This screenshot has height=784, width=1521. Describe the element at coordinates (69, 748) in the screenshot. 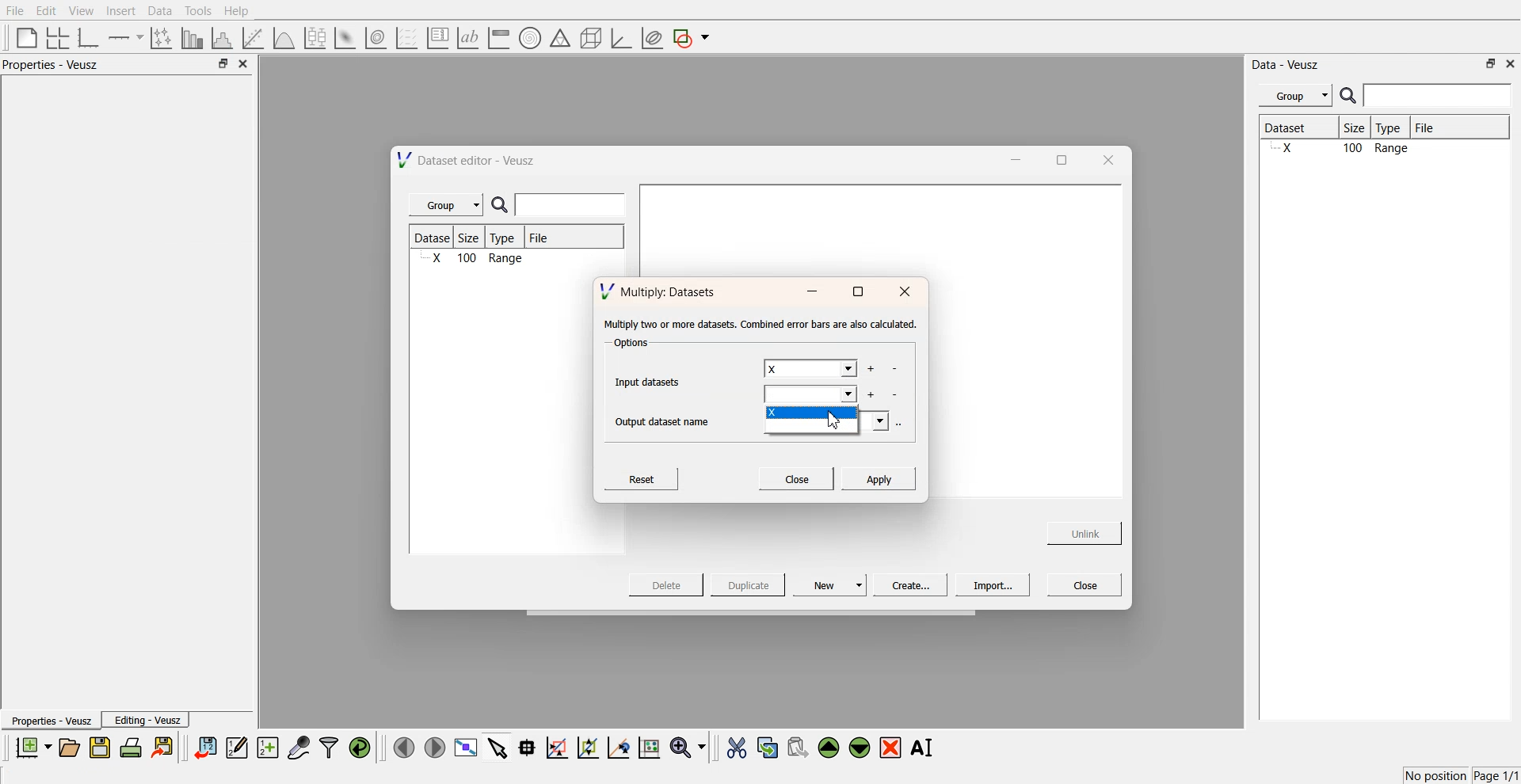

I see `open` at that location.